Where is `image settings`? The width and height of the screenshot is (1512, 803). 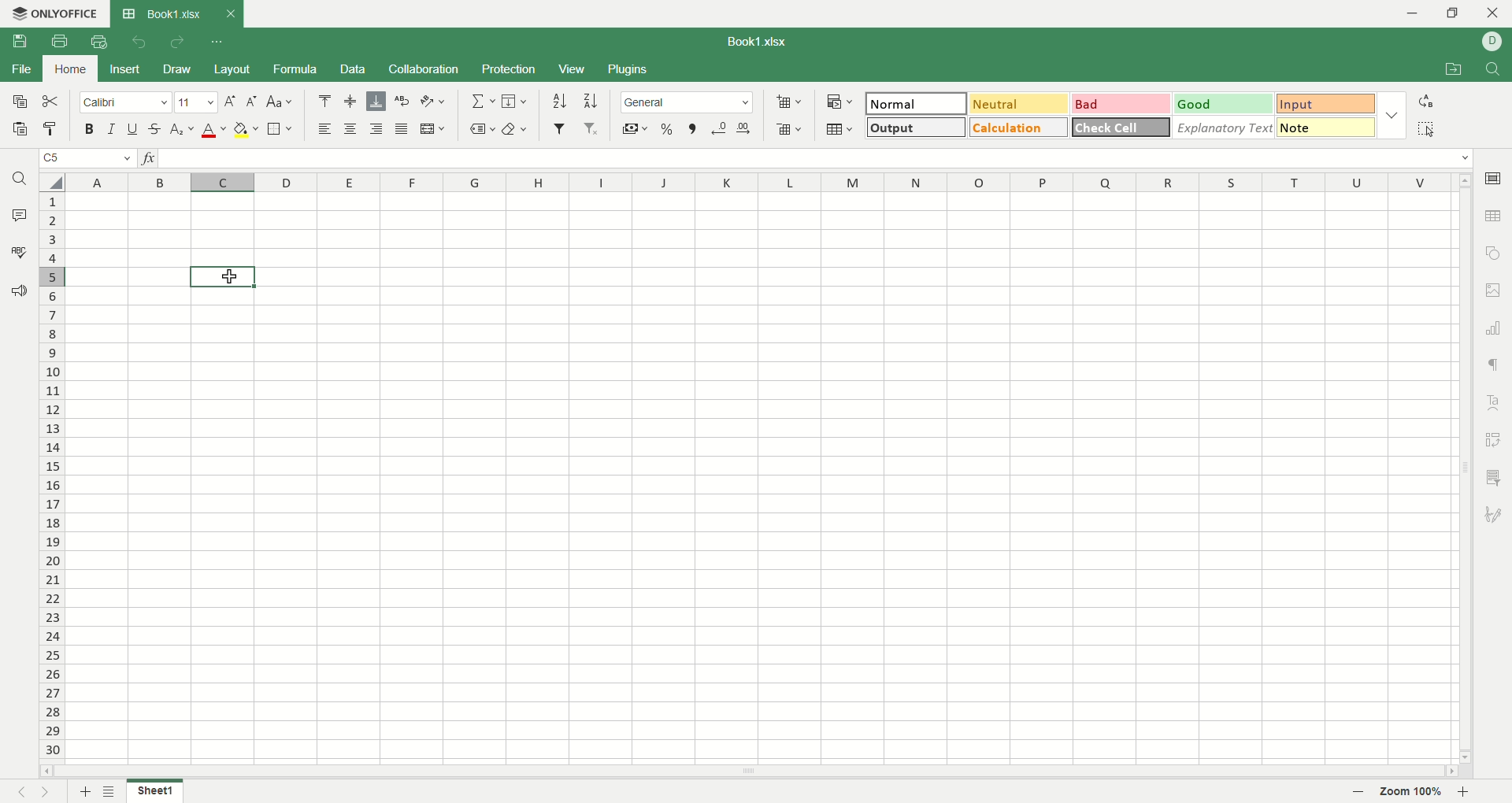 image settings is located at coordinates (1494, 290).